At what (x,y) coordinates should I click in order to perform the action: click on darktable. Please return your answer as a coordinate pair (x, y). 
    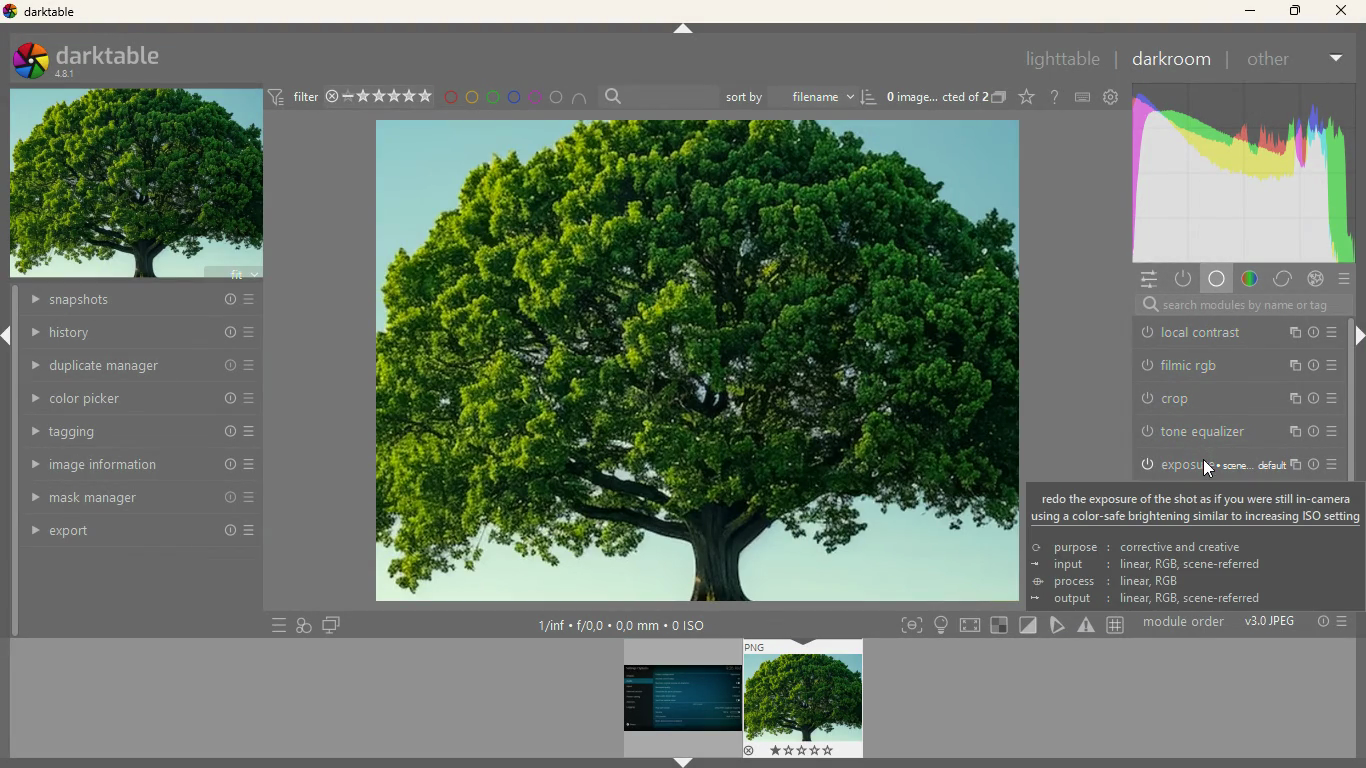
    Looking at the image, I should click on (100, 62).